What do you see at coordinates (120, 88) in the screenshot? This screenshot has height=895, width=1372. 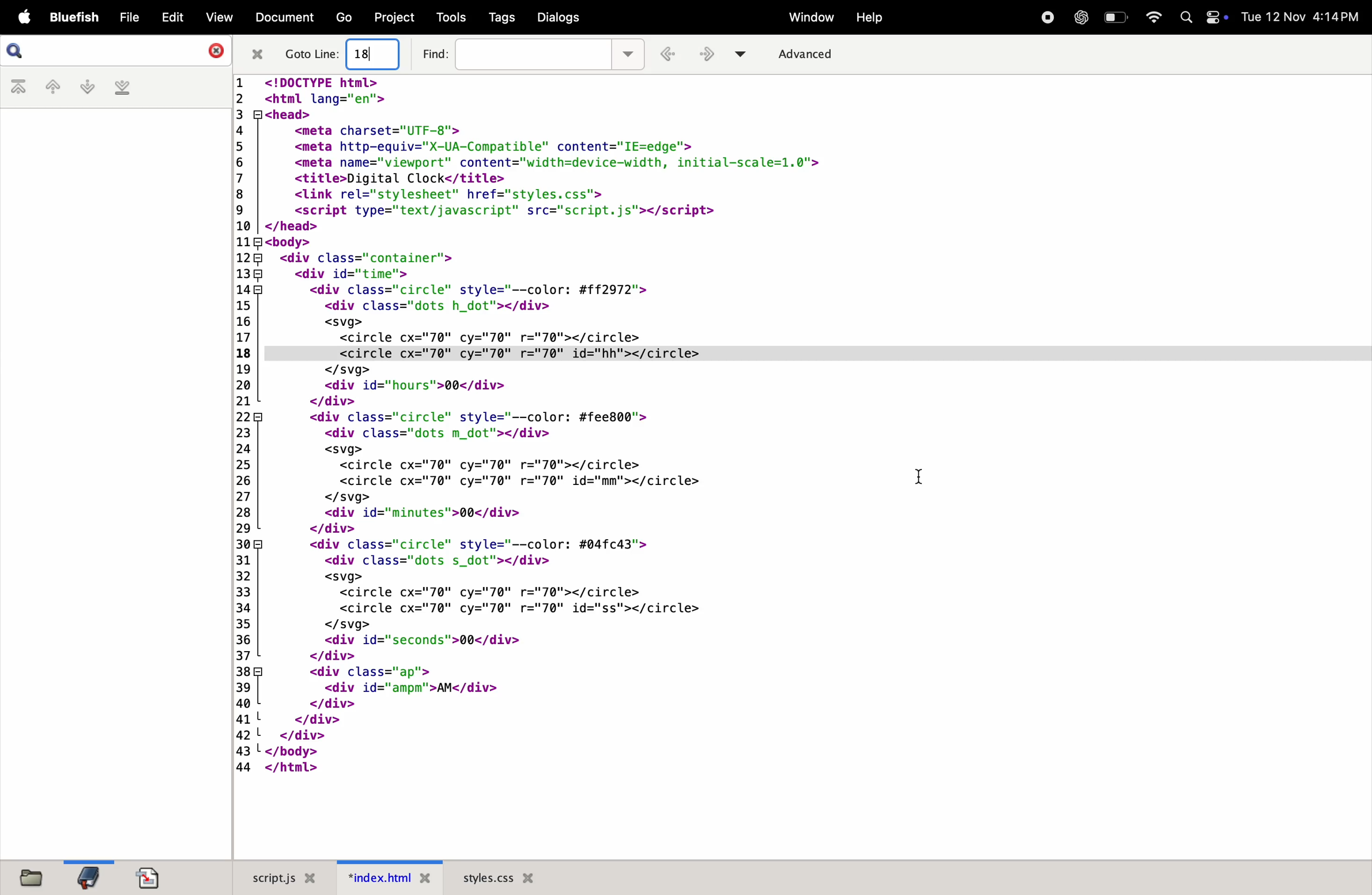 I see `last bookmark` at bounding box center [120, 88].